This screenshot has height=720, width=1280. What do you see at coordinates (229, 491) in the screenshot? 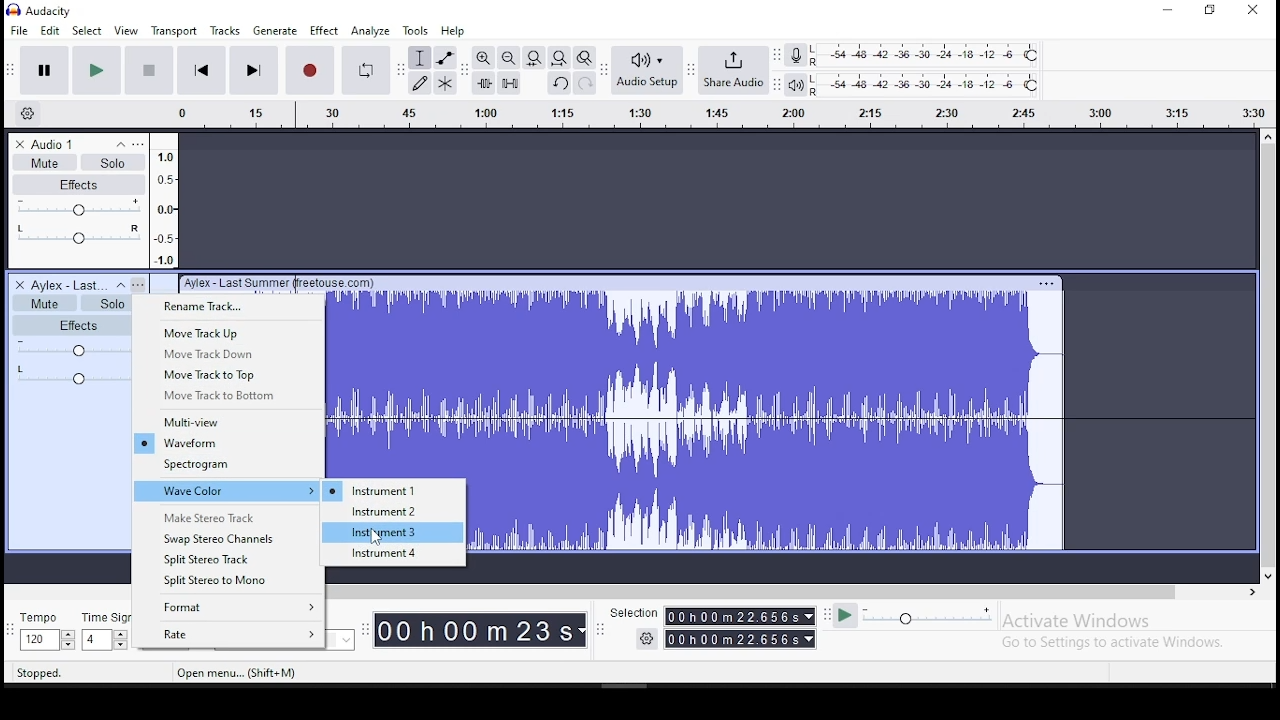
I see `wave color` at bounding box center [229, 491].